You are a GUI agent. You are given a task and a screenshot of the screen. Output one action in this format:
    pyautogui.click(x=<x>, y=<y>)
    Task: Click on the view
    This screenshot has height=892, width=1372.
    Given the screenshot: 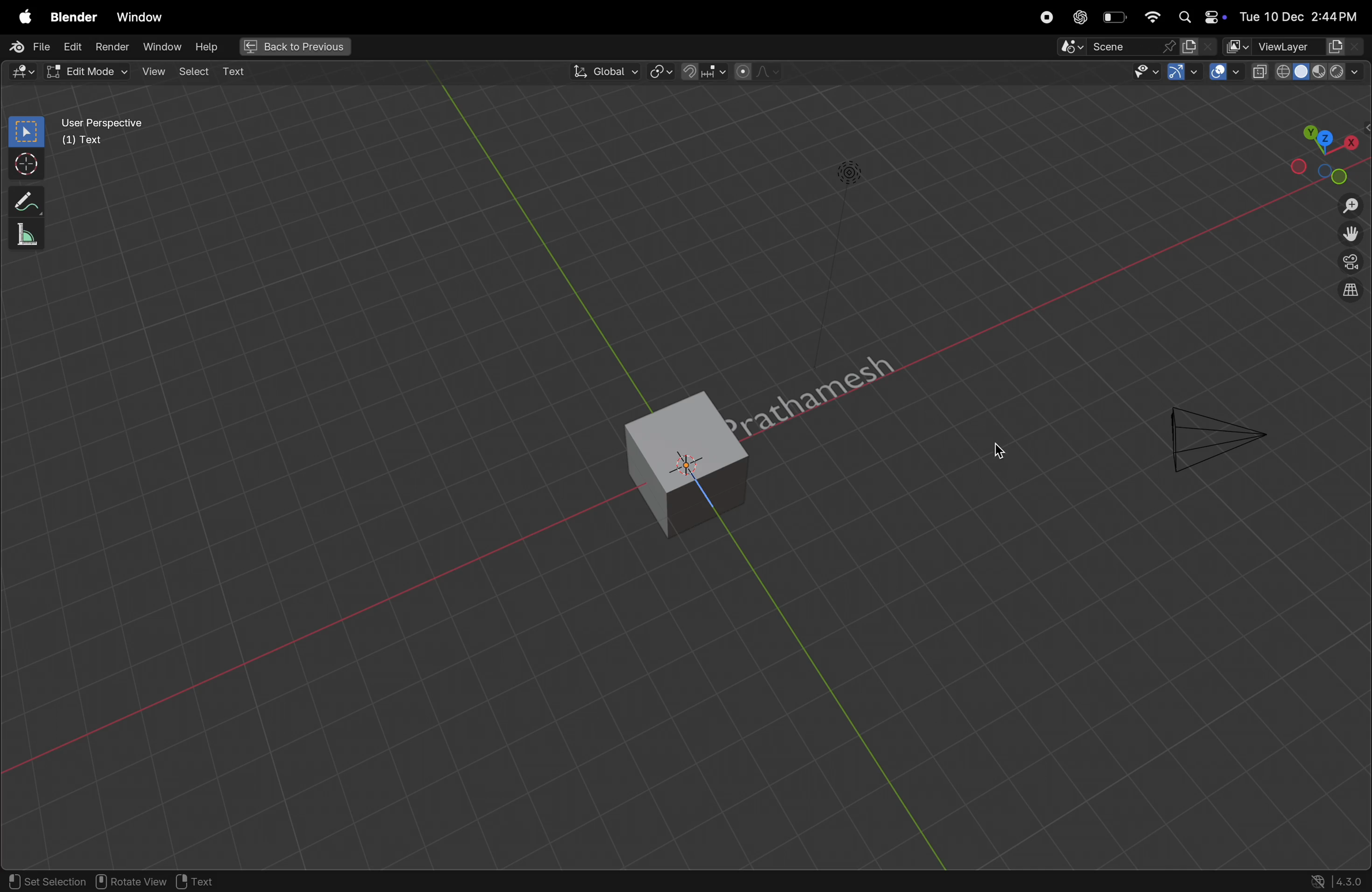 What is the action you would take?
    pyautogui.click(x=154, y=71)
    